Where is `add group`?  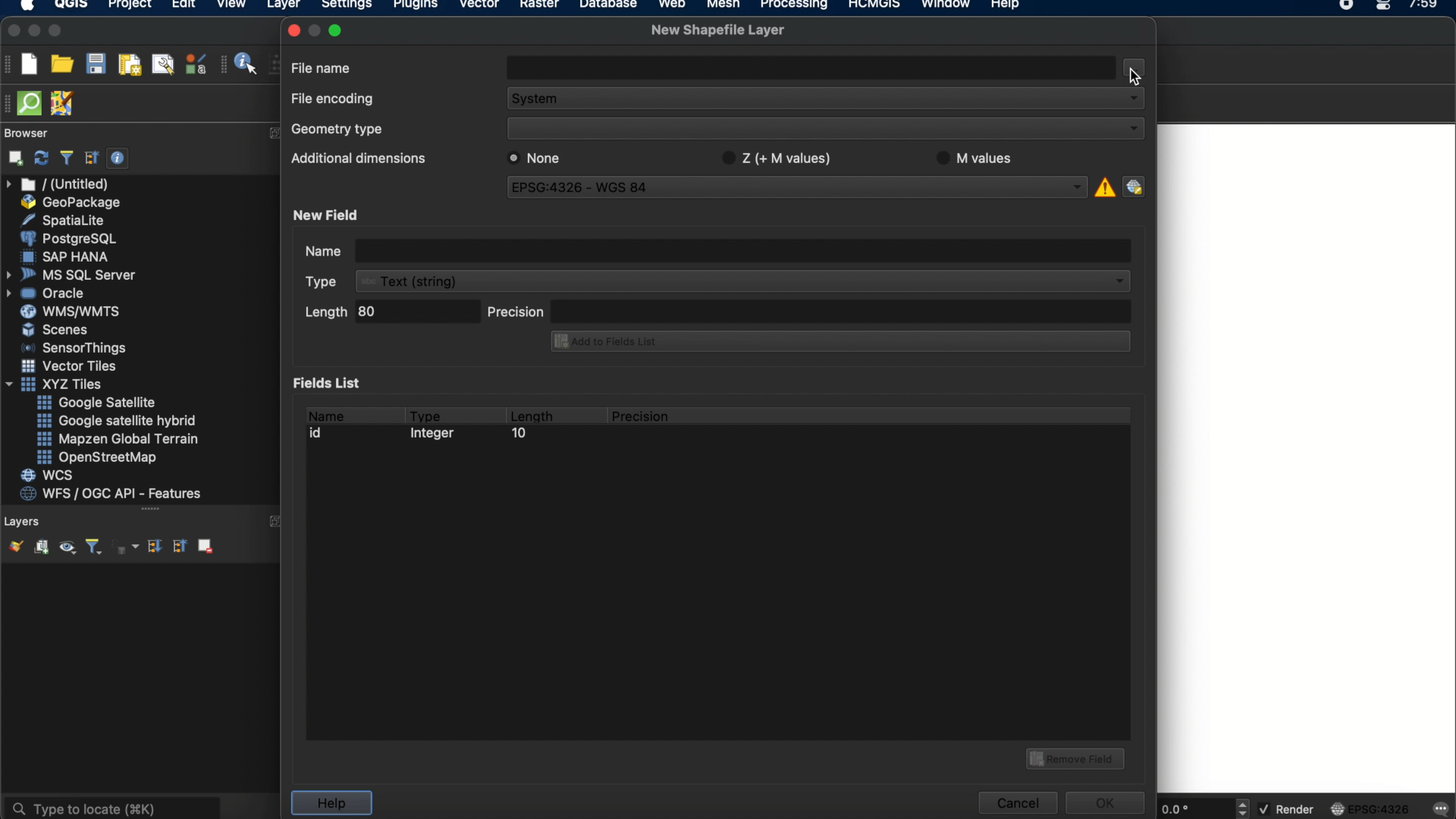
add group is located at coordinates (41, 548).